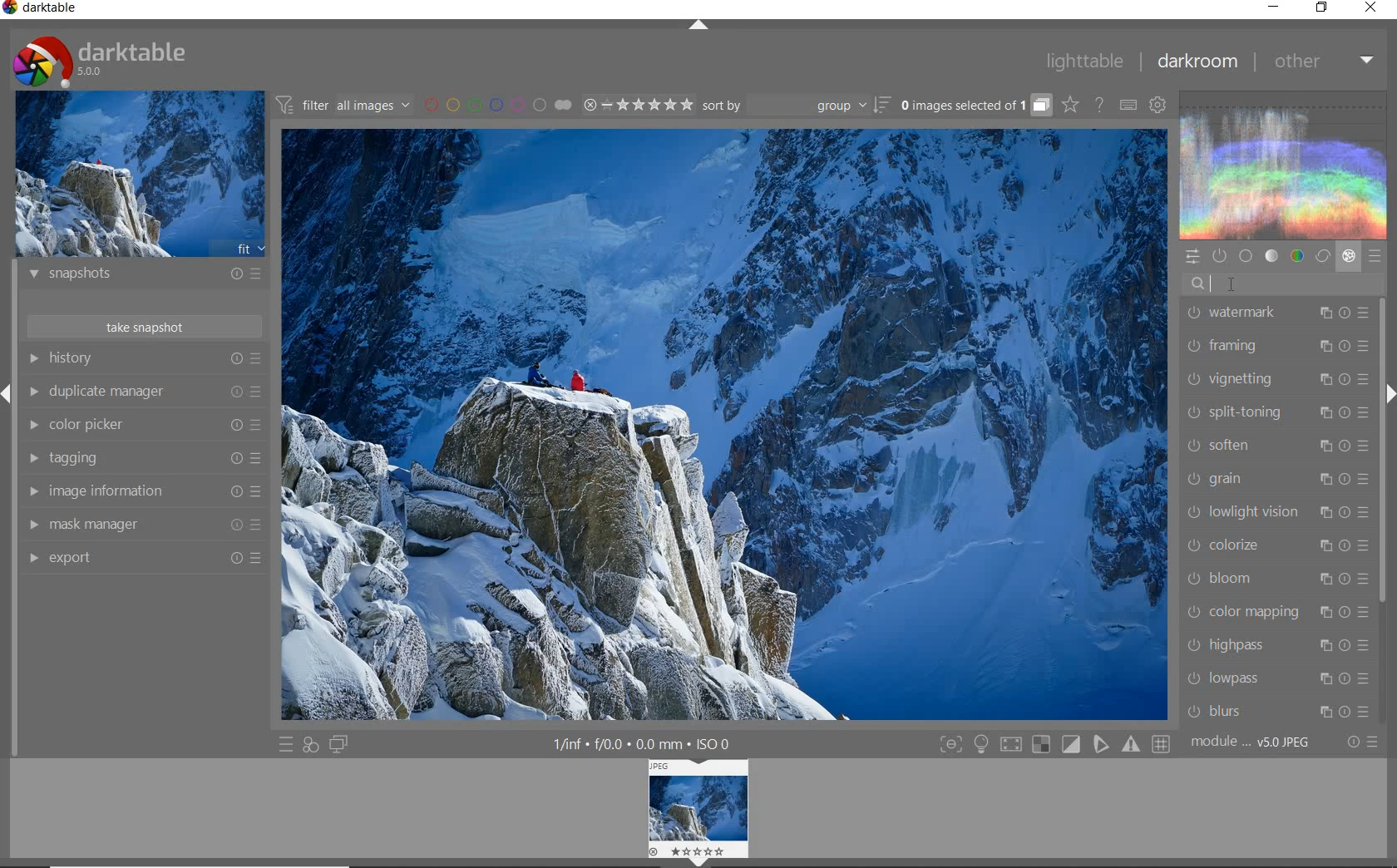 This screenshot has width=1397, height=868. I want to click on expand/collapse, so click(697, 26).